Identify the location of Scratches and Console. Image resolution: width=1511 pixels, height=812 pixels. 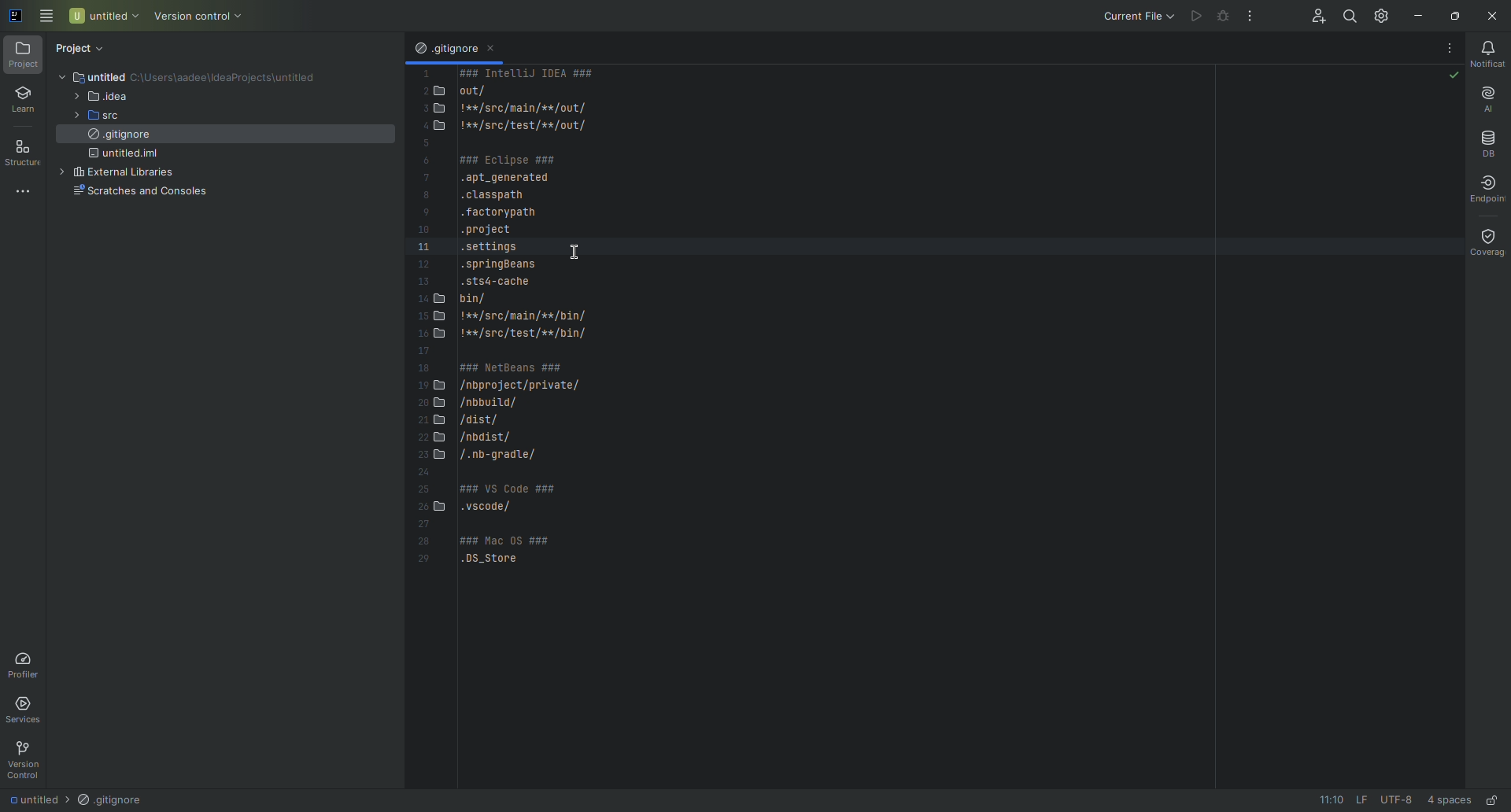
(139, 194).